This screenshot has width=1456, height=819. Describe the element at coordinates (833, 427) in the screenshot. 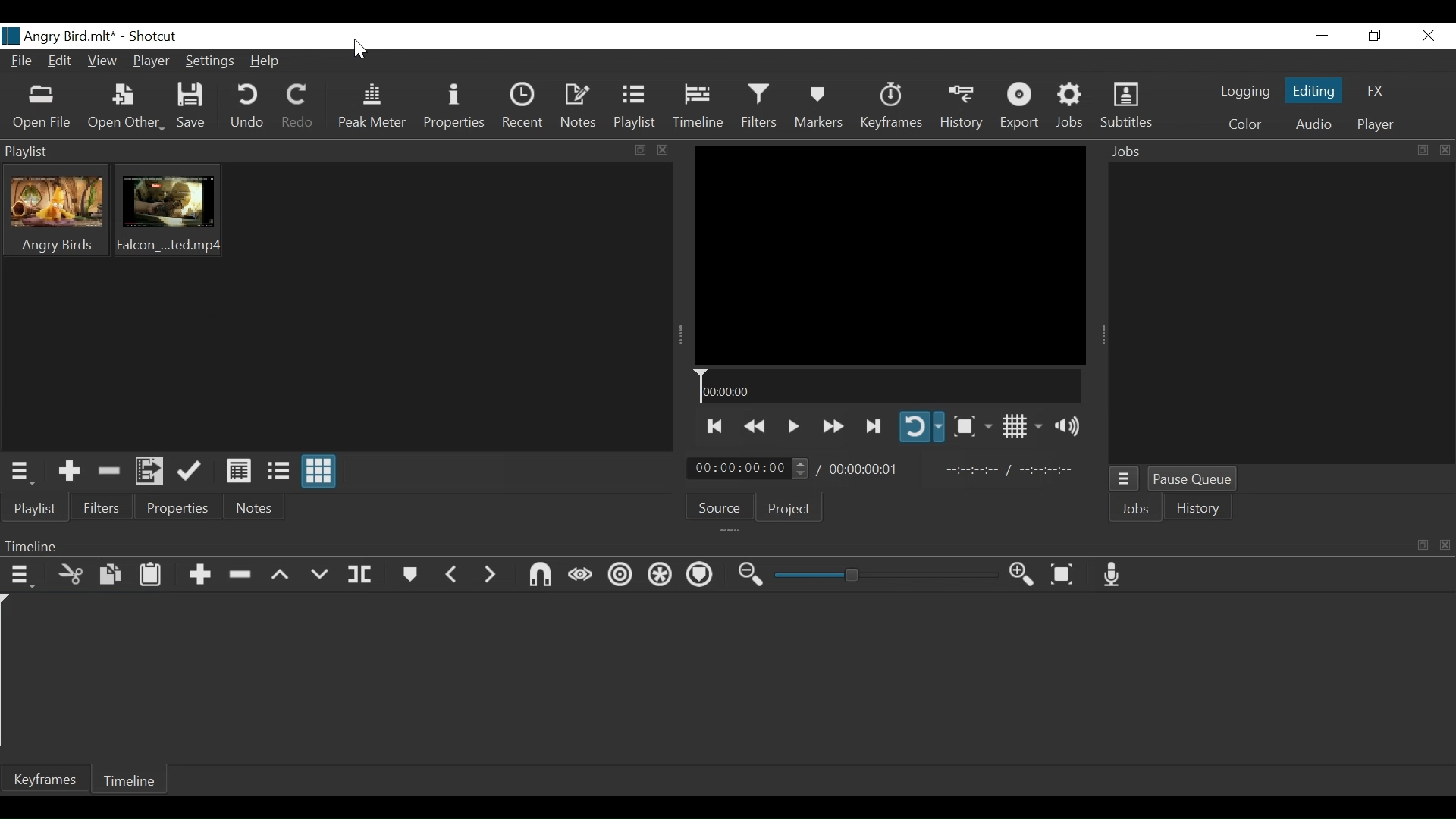

I see `Play forward quickly` at that location.